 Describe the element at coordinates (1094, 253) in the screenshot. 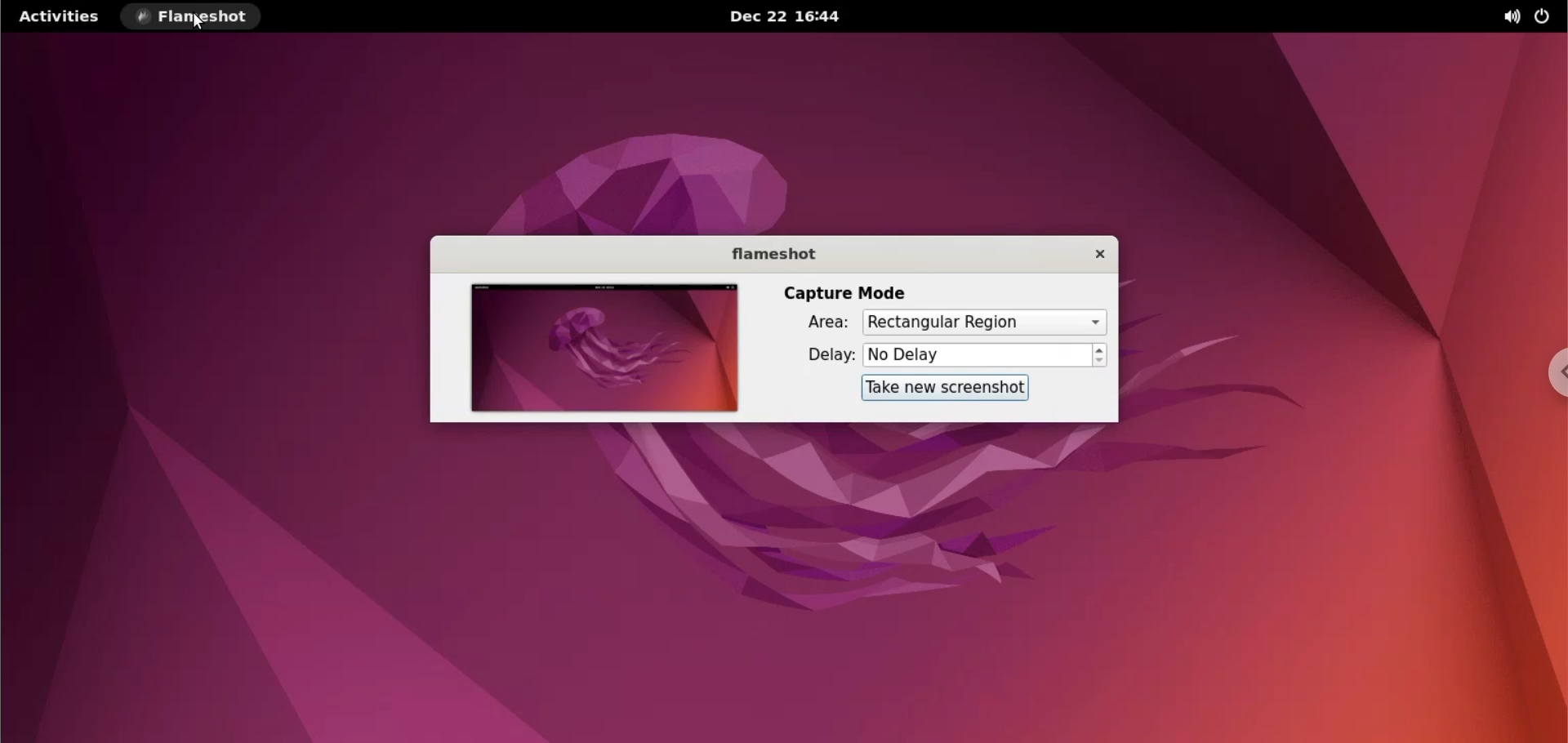

I see `close` at that location.